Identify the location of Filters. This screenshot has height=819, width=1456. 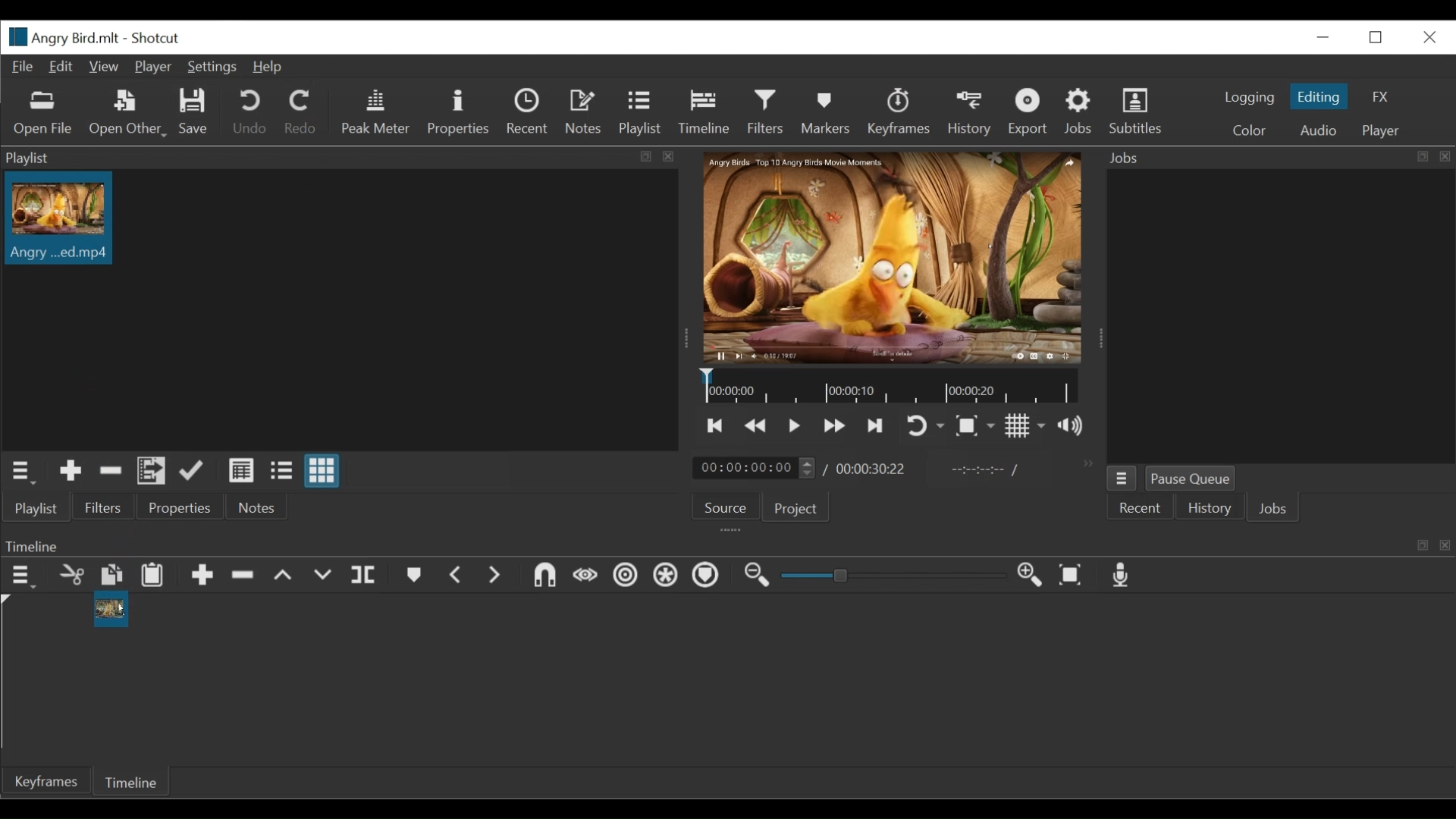
(101, 507).